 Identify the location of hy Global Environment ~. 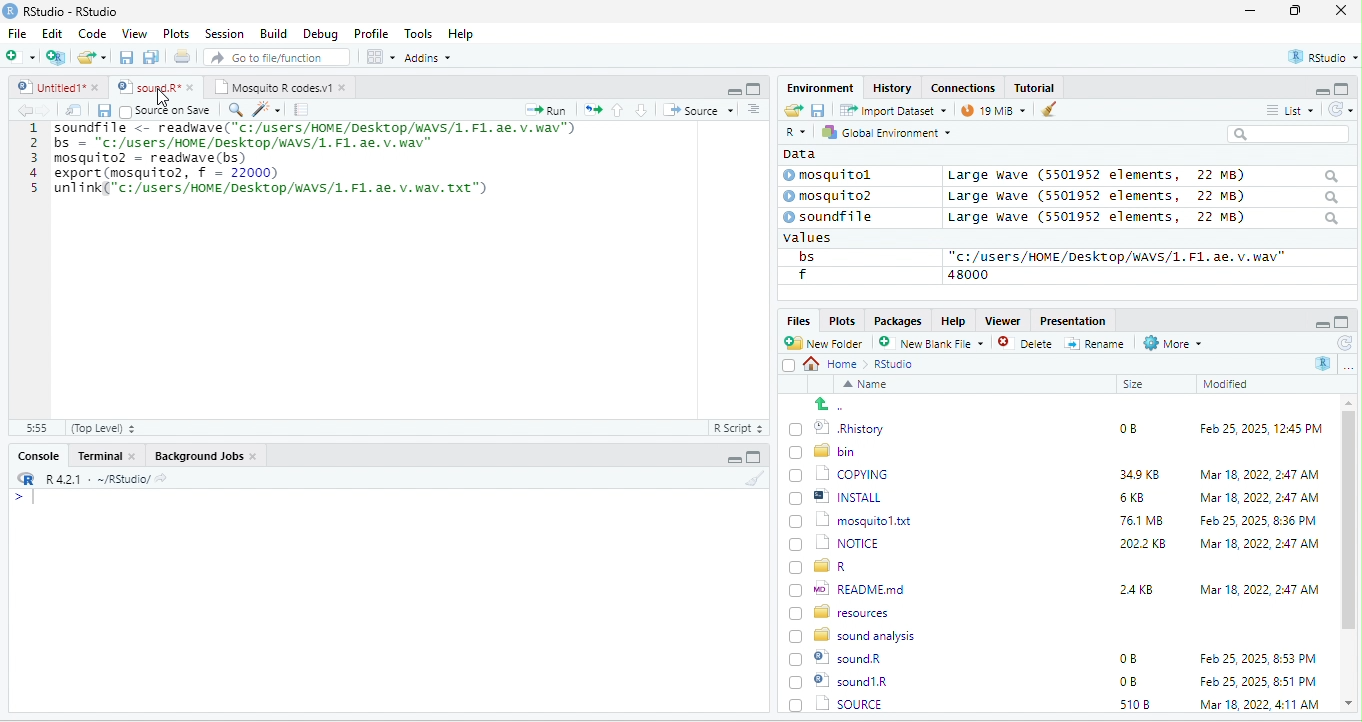
(881, 132).